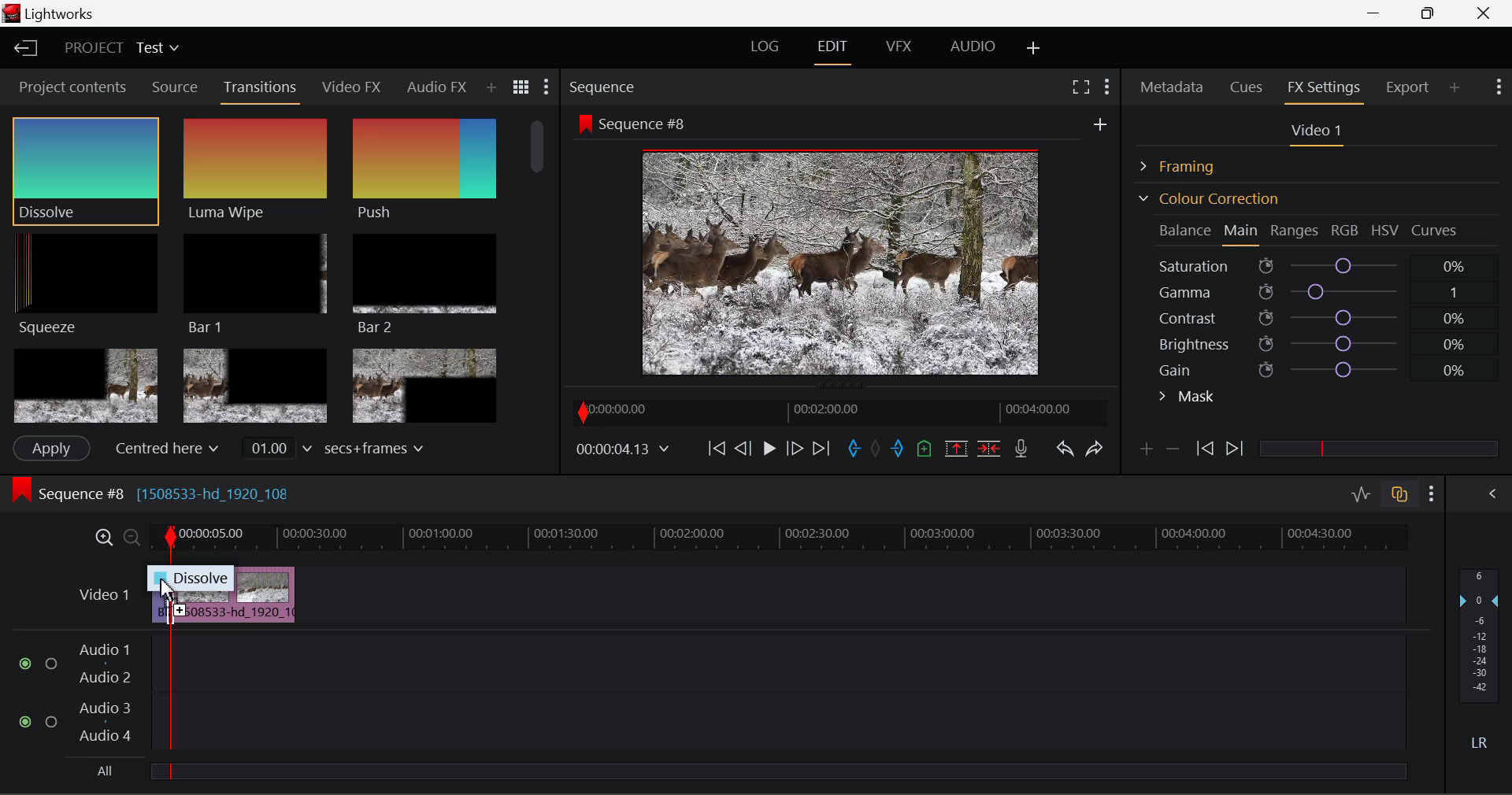  I want to click on Go Forward, so click(795, 448).